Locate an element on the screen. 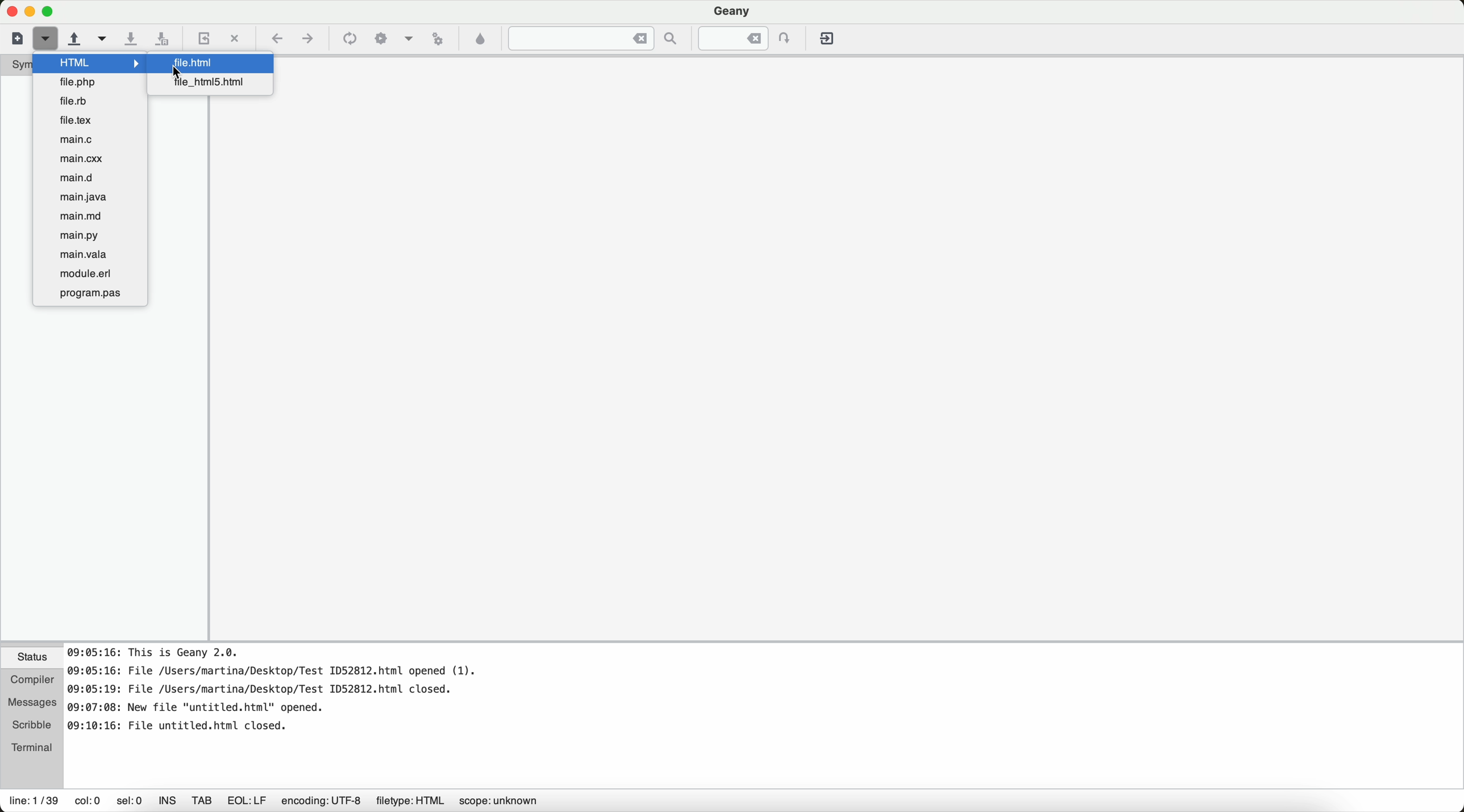  open a recent file is located at coordinates (101, 39).